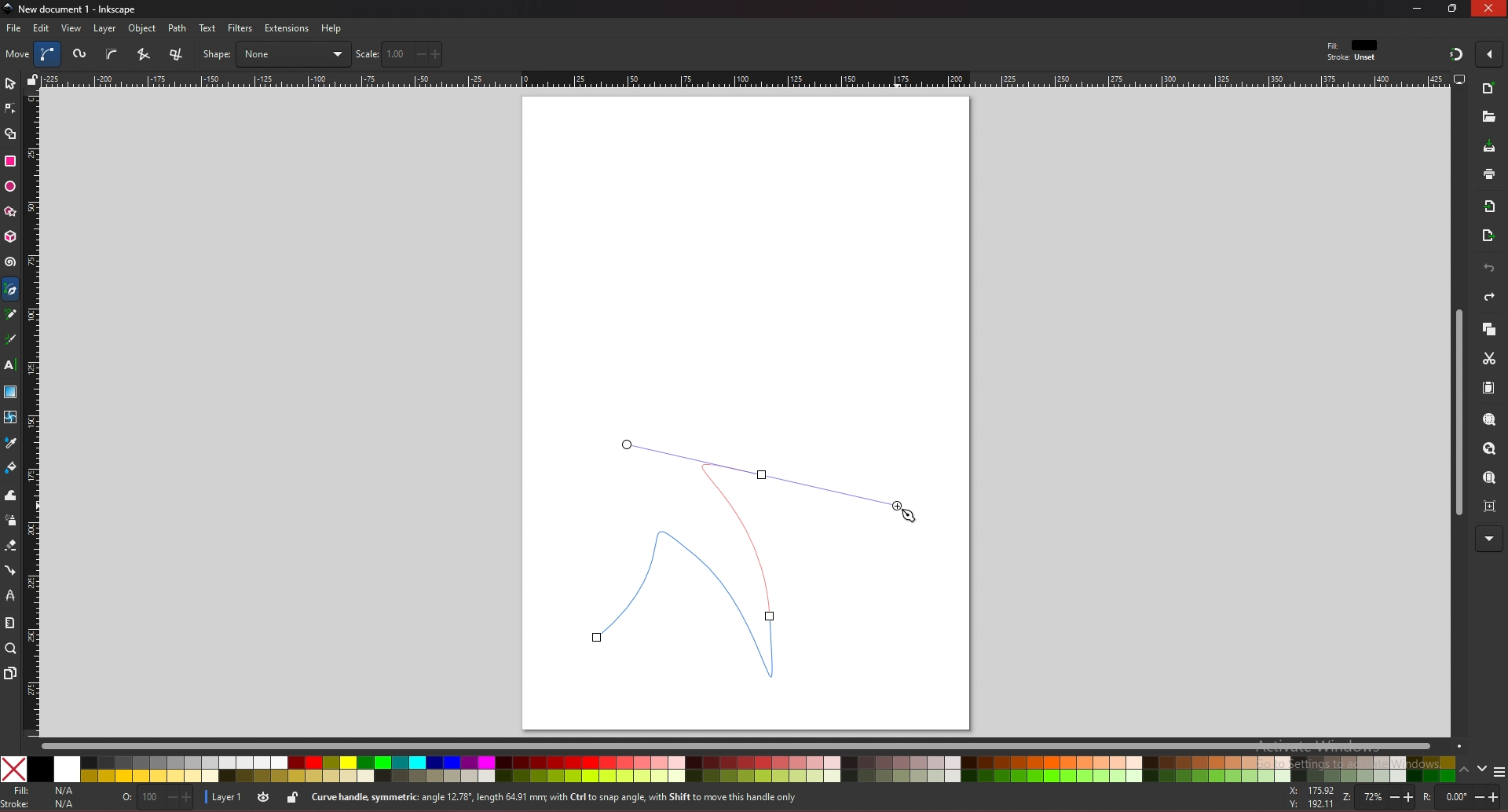 This screenshot has width=1508, height=812. Describe the element at coordinates (1488, 389) in the screenshot. I see `paste` at that location.